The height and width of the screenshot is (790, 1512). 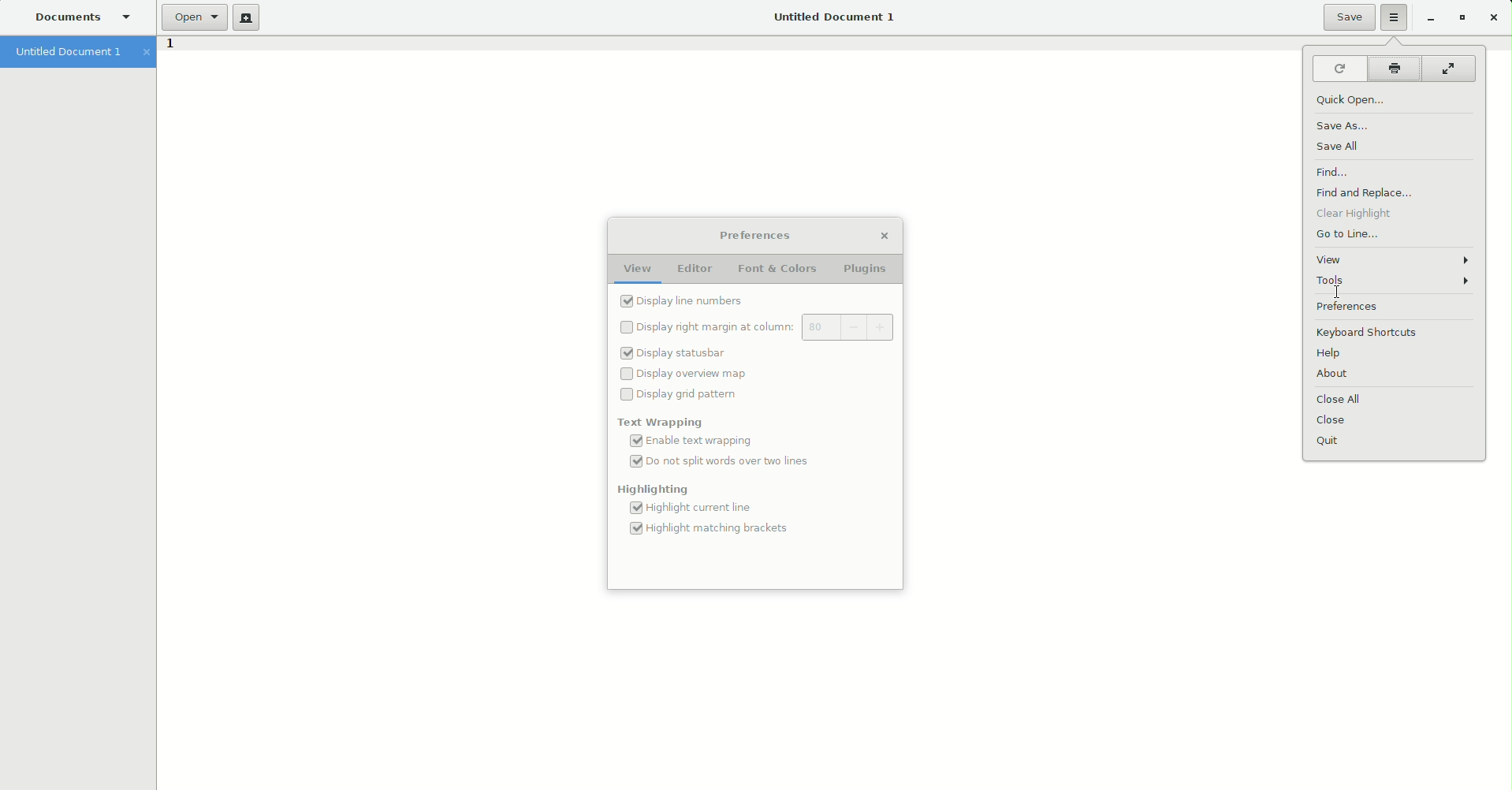 What do you see at coordinates (1492, 17) in the screenshot?
I see `Close` at bounding box center [1492, 17].